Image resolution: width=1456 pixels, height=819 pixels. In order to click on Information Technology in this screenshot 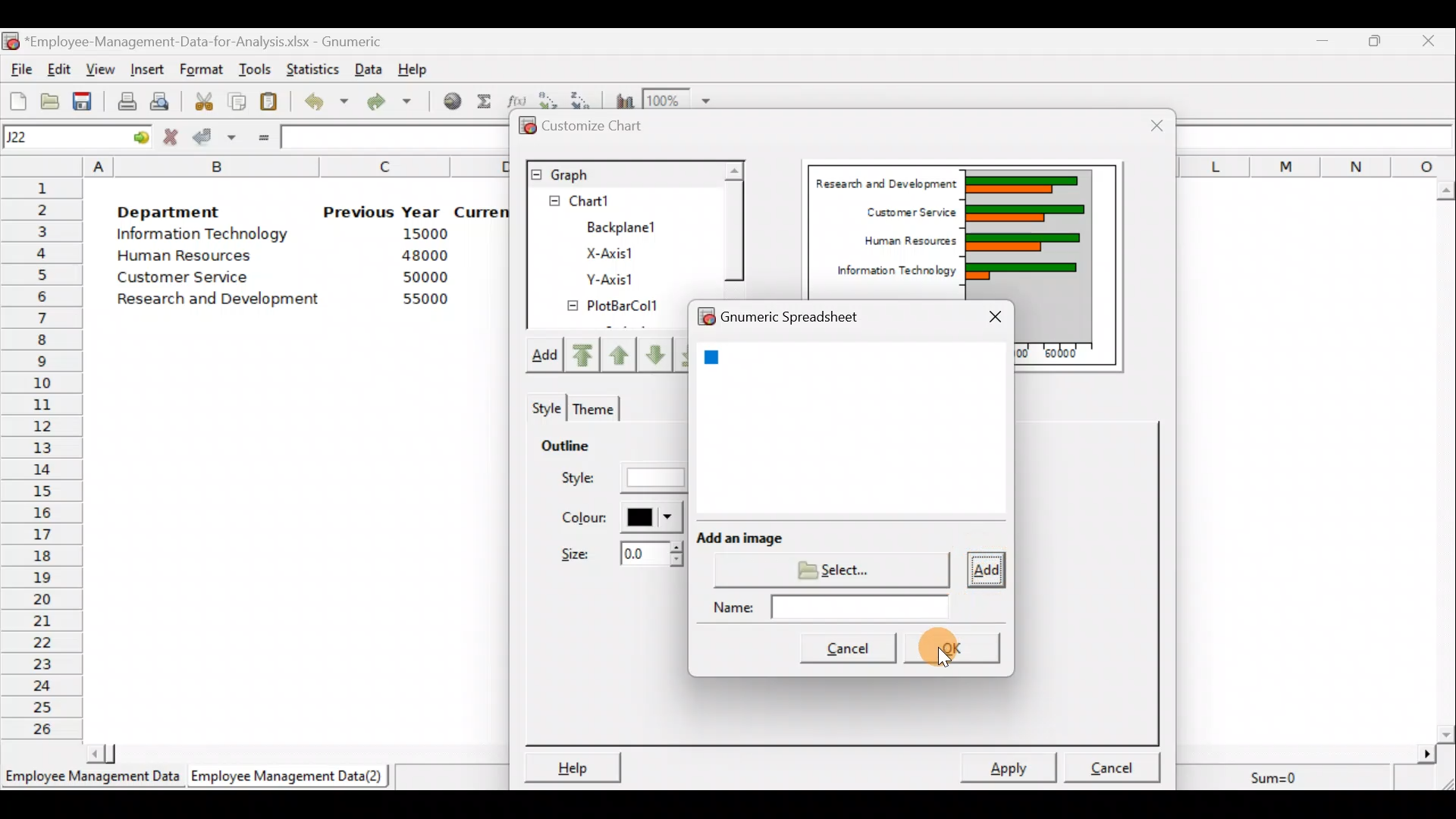, I will do `click(203, 237)`.